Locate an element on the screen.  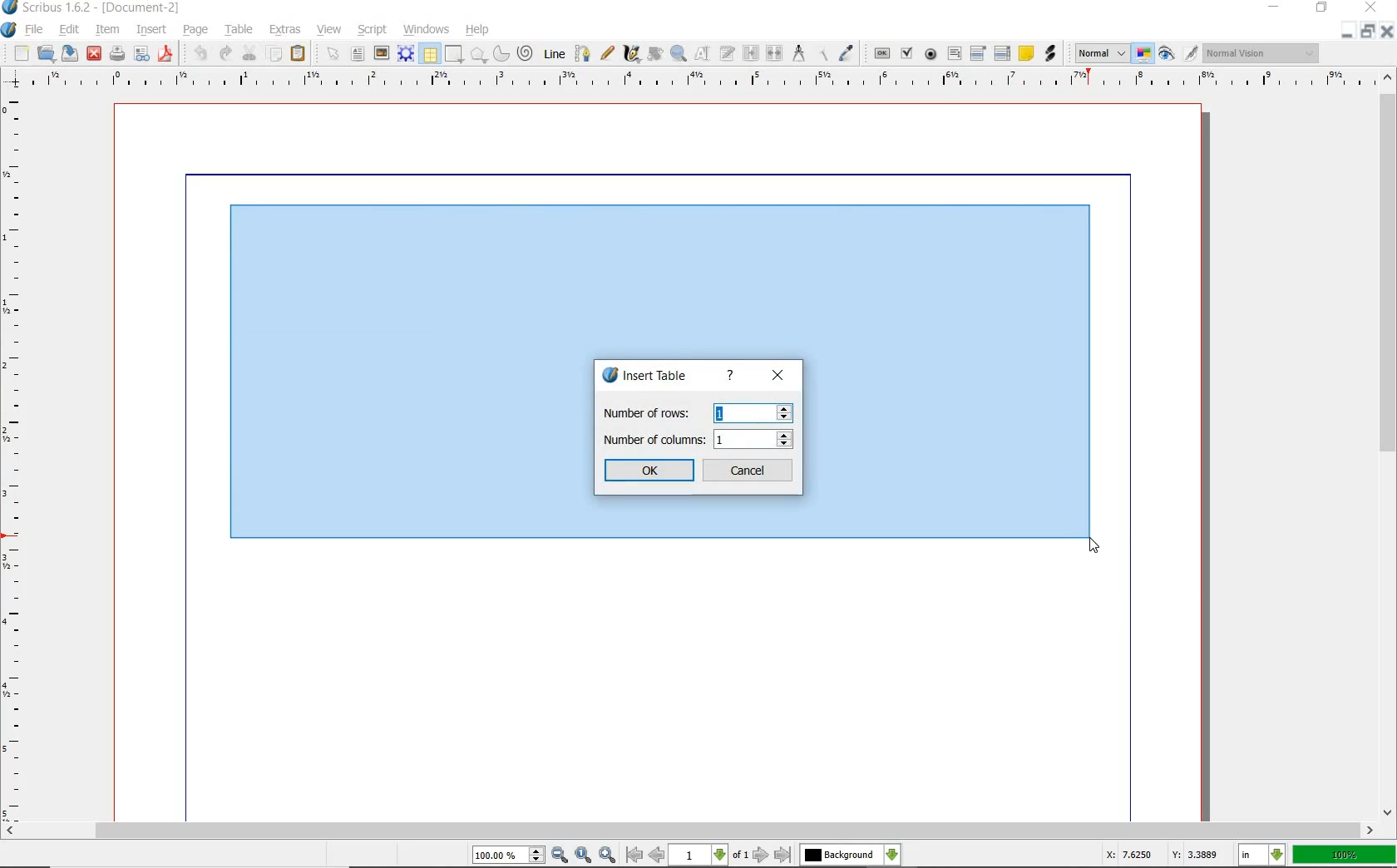
Number of rows: is located at coordinates (654, 412).